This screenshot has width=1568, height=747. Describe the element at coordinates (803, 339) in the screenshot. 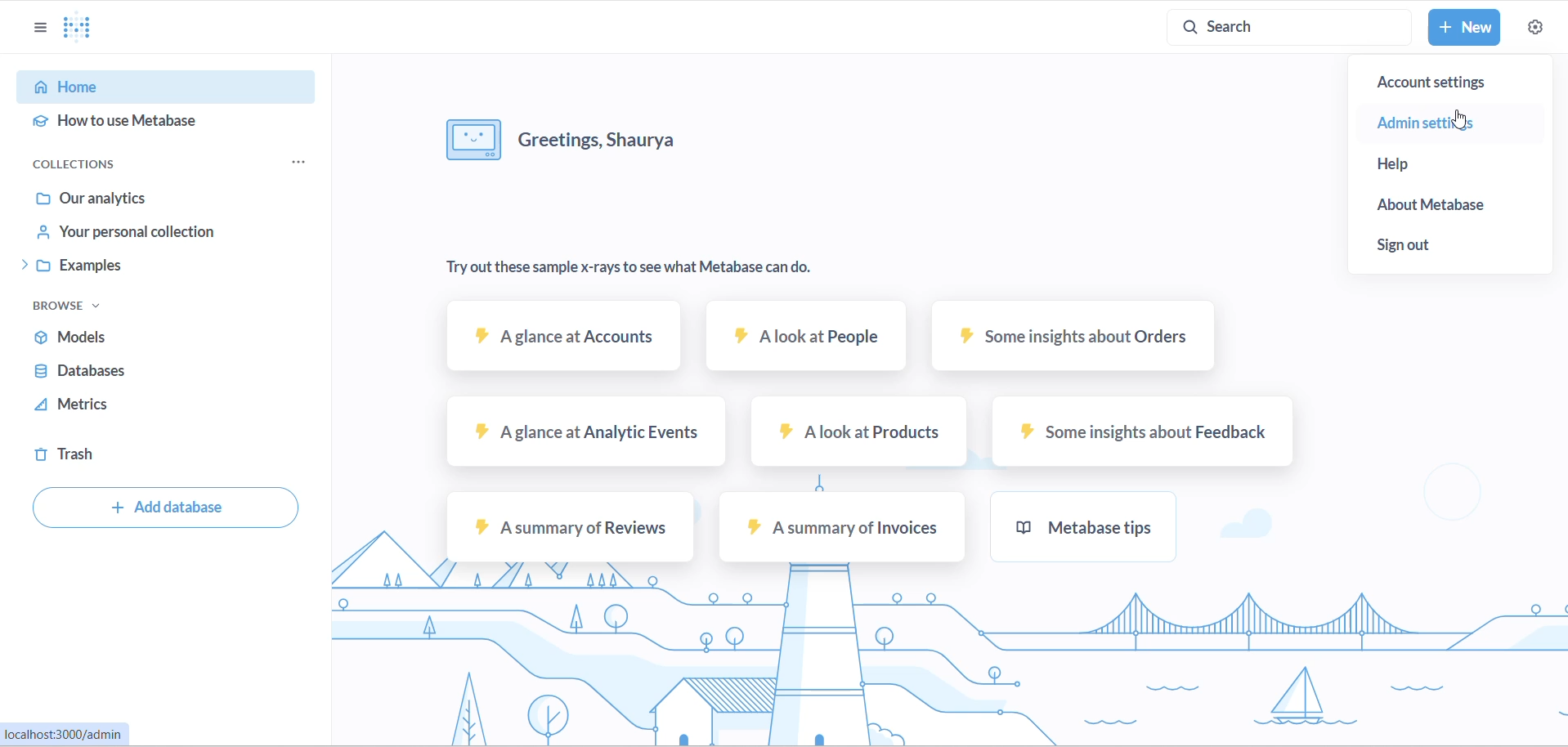

I see `A look at people sample` at that location.